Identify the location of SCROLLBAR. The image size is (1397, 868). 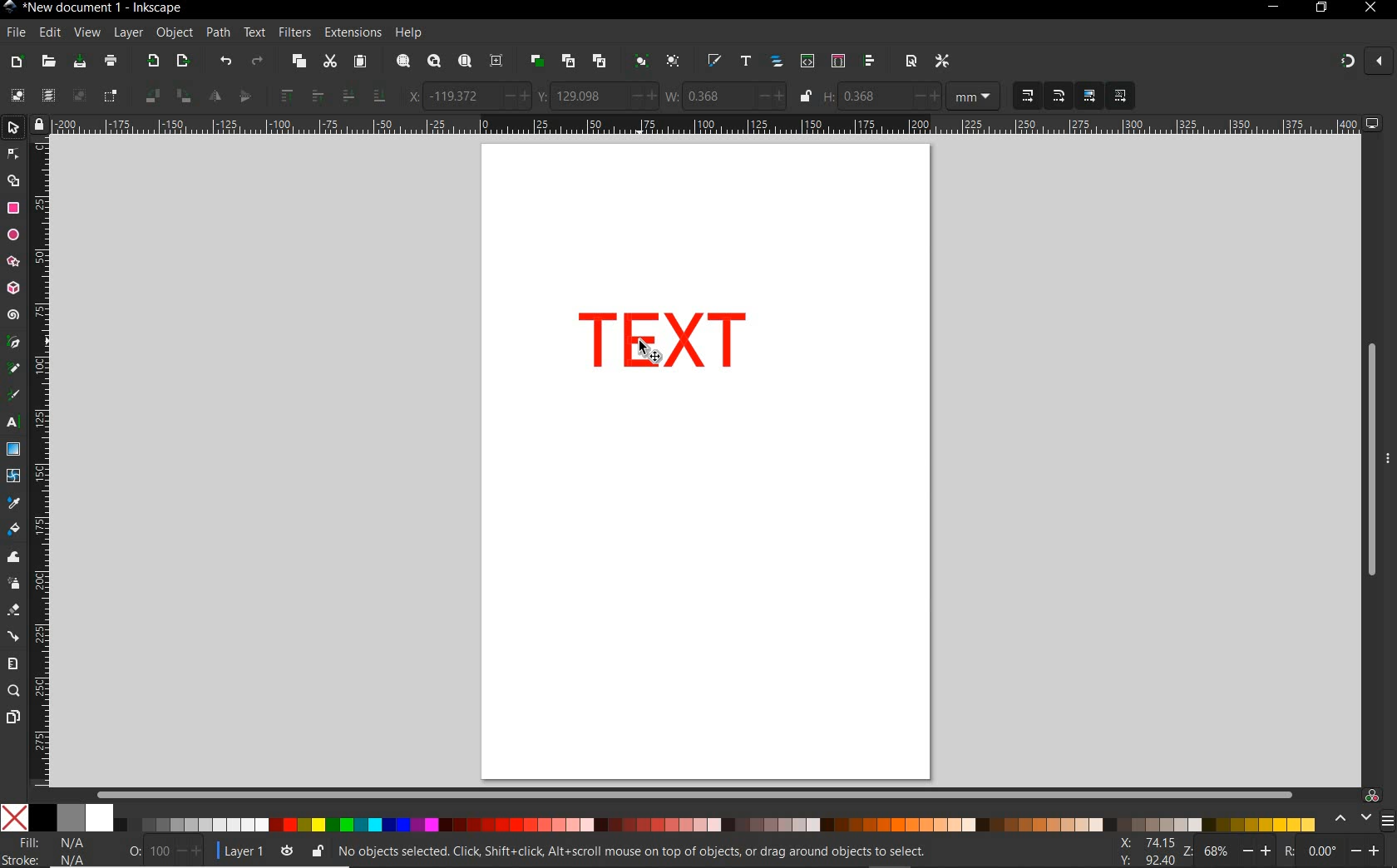
(692, 792).